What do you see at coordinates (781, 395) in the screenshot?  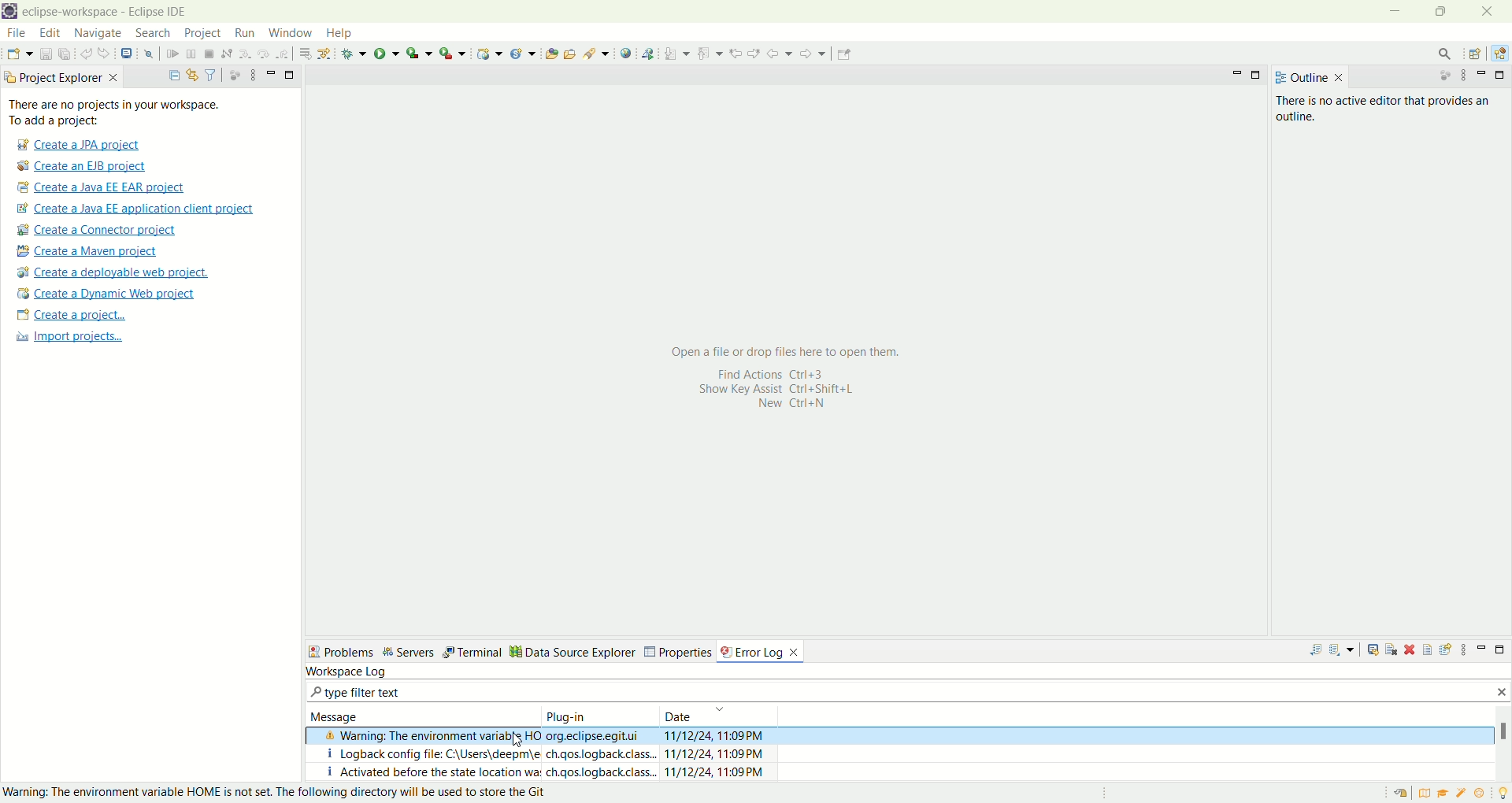 I see `Find Actions Ctrl+3 show key assist Ctrl+ Shift+L New Ctrl+N` at bounding box center [781, 395].